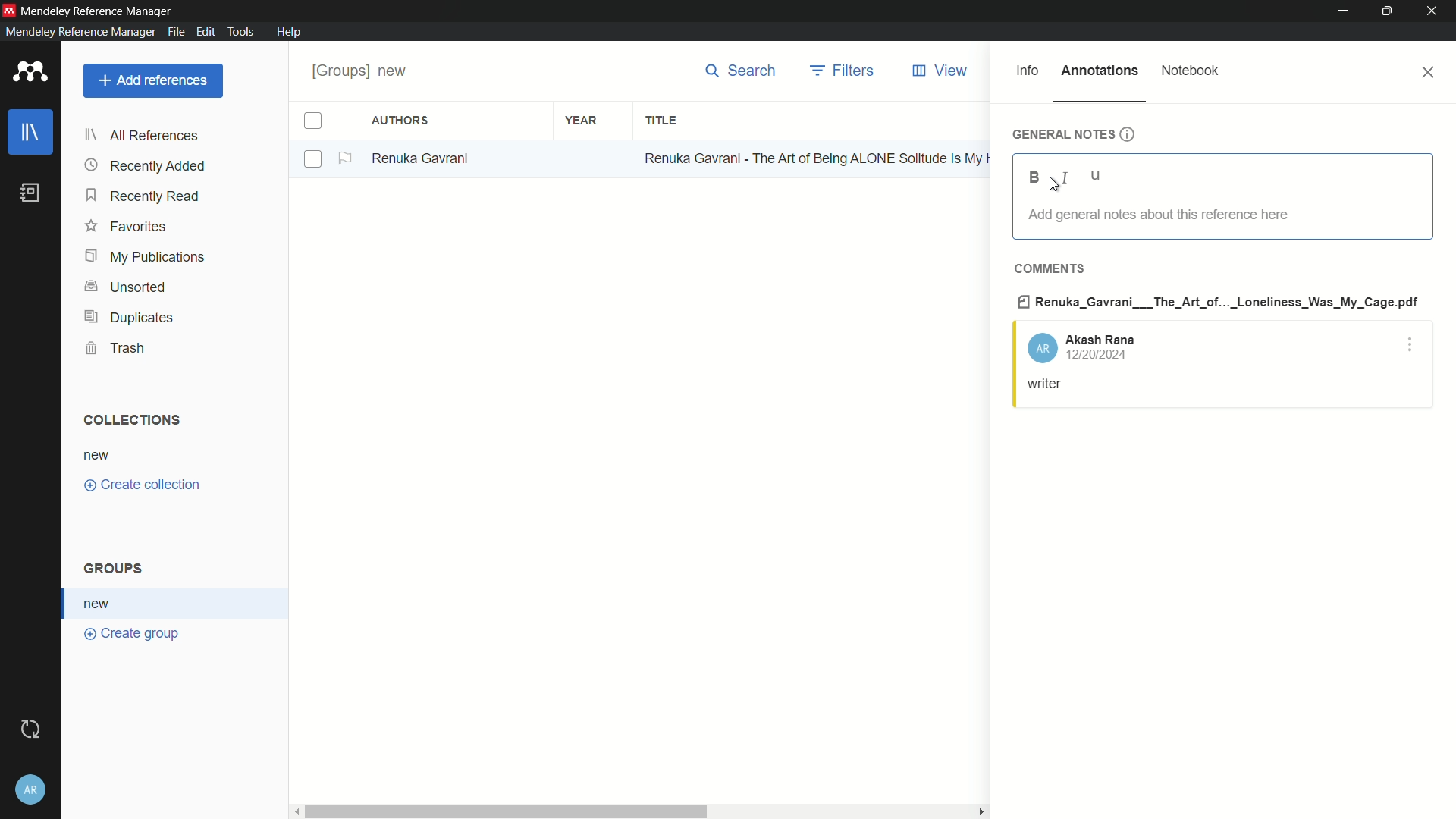 This screenshot has height=819, width=1456. I want to click on general notes, so click(1073, 134).